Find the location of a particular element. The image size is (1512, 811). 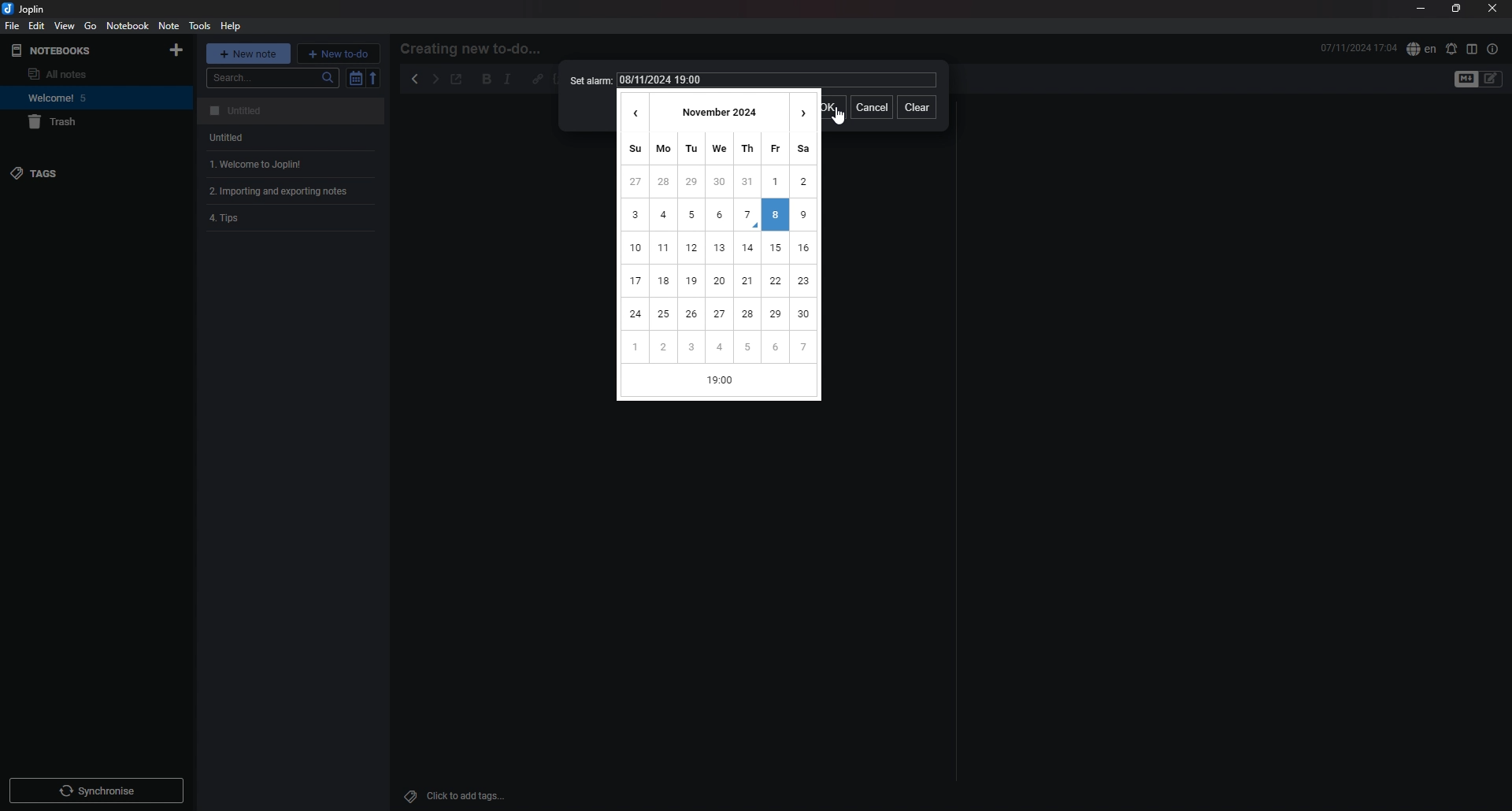

creating new todo is located at coordinates (476, 49).